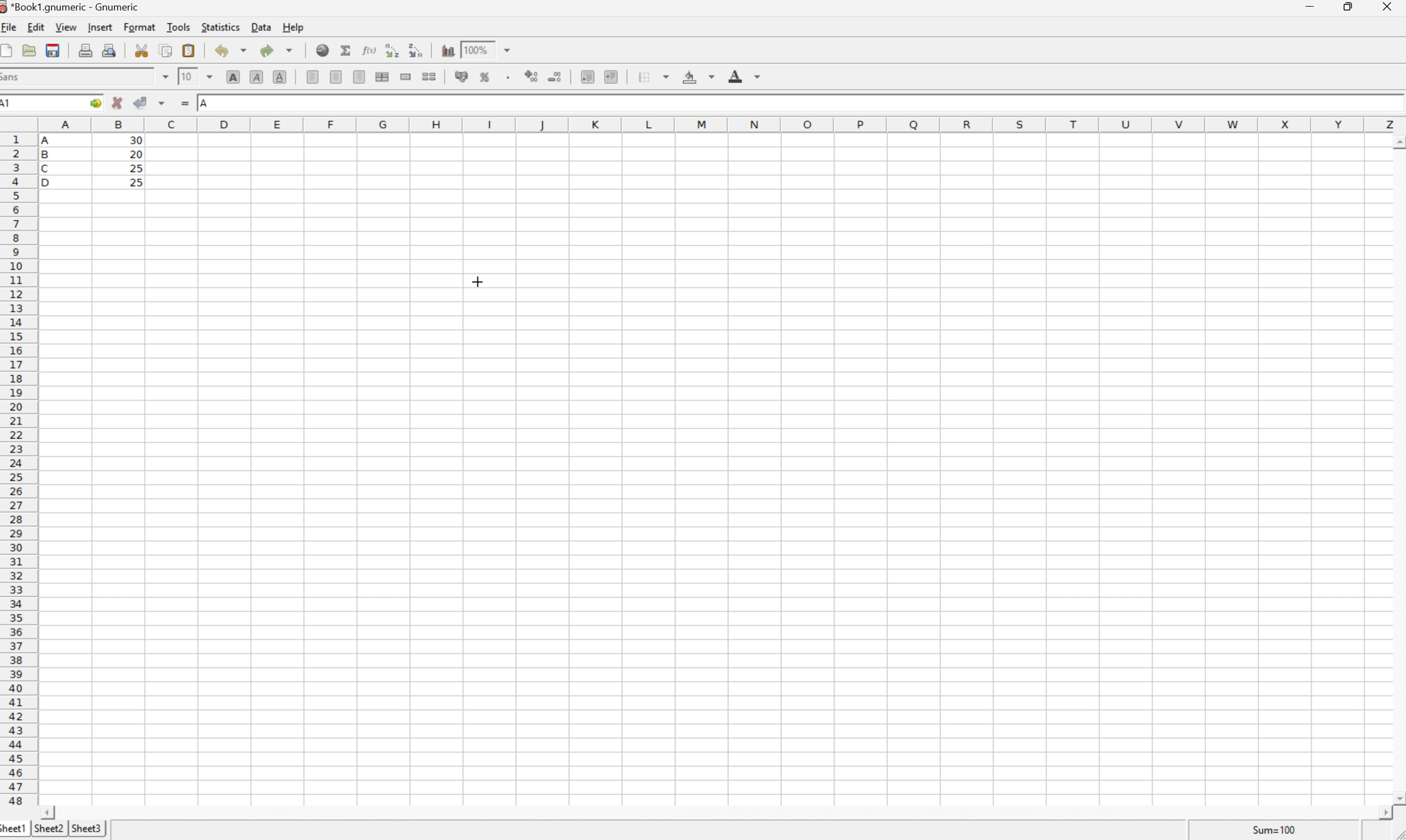  Describe the element at coordinates (117, 102) in the screenshot. I see `Cancel changes` at that location.